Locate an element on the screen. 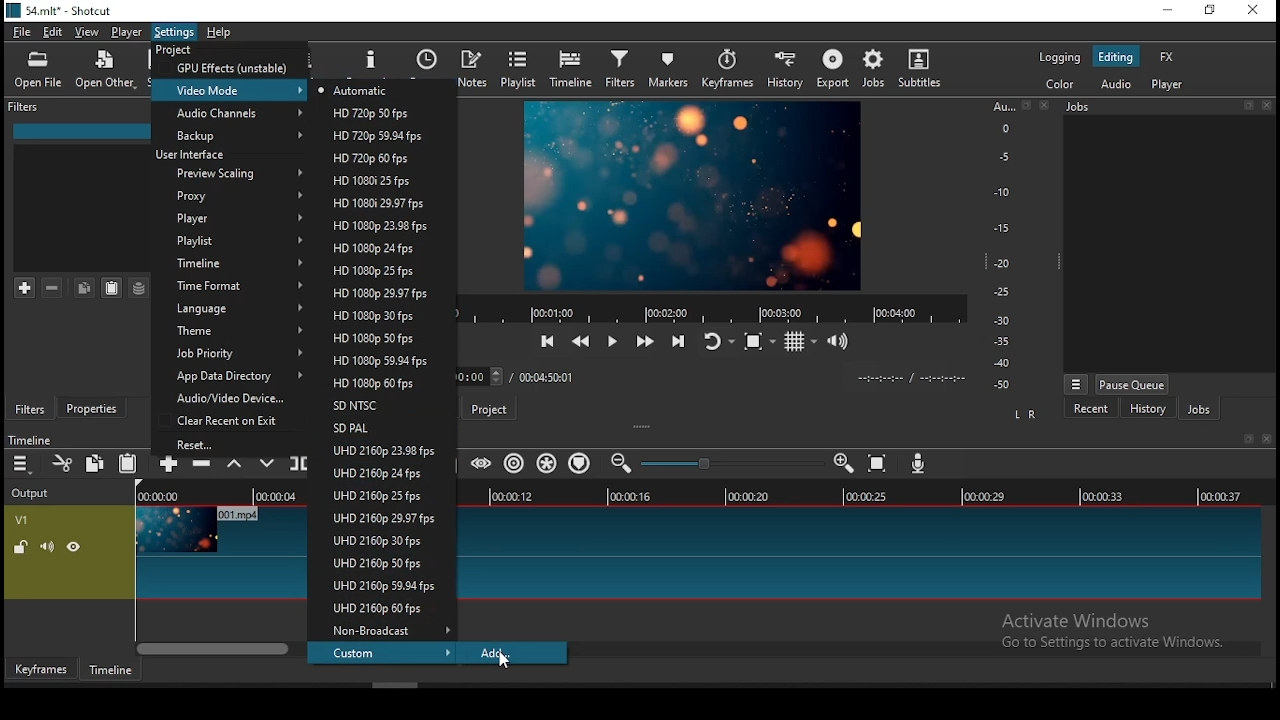 The width and height of the screenshot is (1280, 720). resolution option is located at coordinates (371, 115).